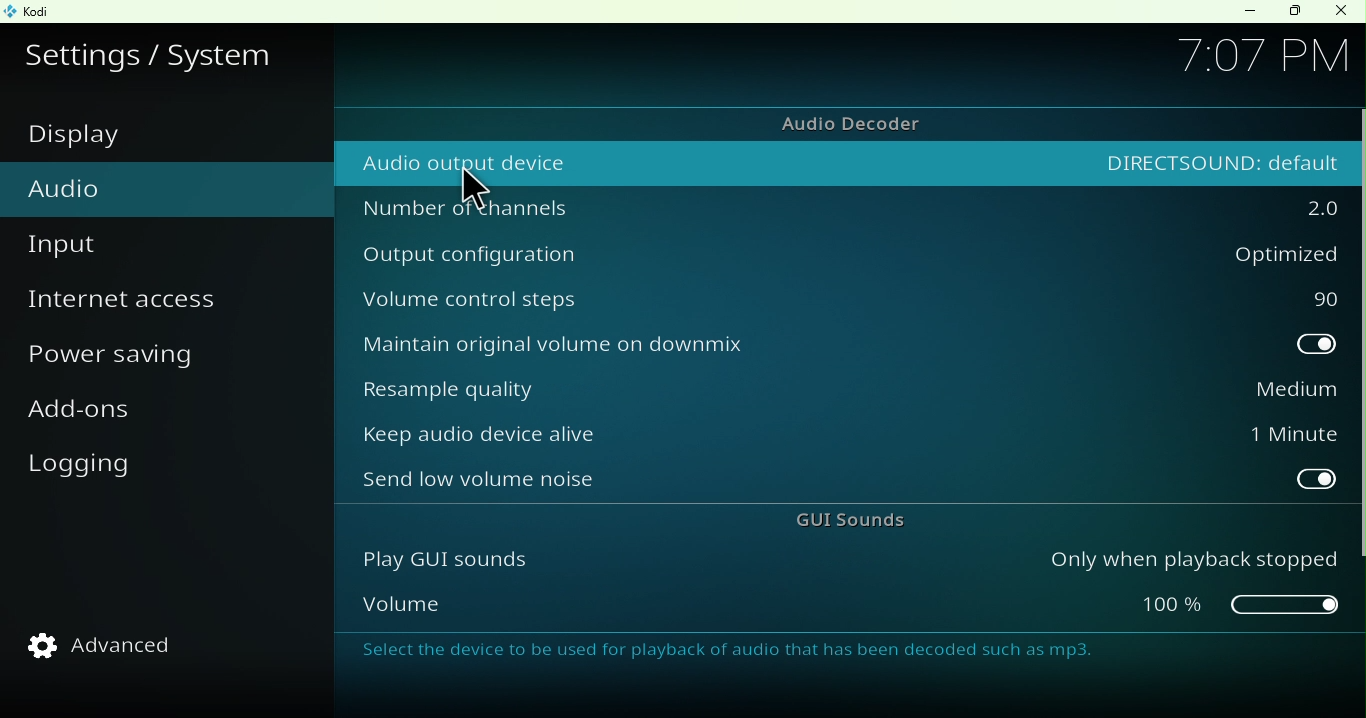 Image resolution: width=1366 pixels, height=718 pixels. What do you see at coordinates (1215, 157) in the screenshot?
I see `audio output device` at bounding box center [1215, 157].